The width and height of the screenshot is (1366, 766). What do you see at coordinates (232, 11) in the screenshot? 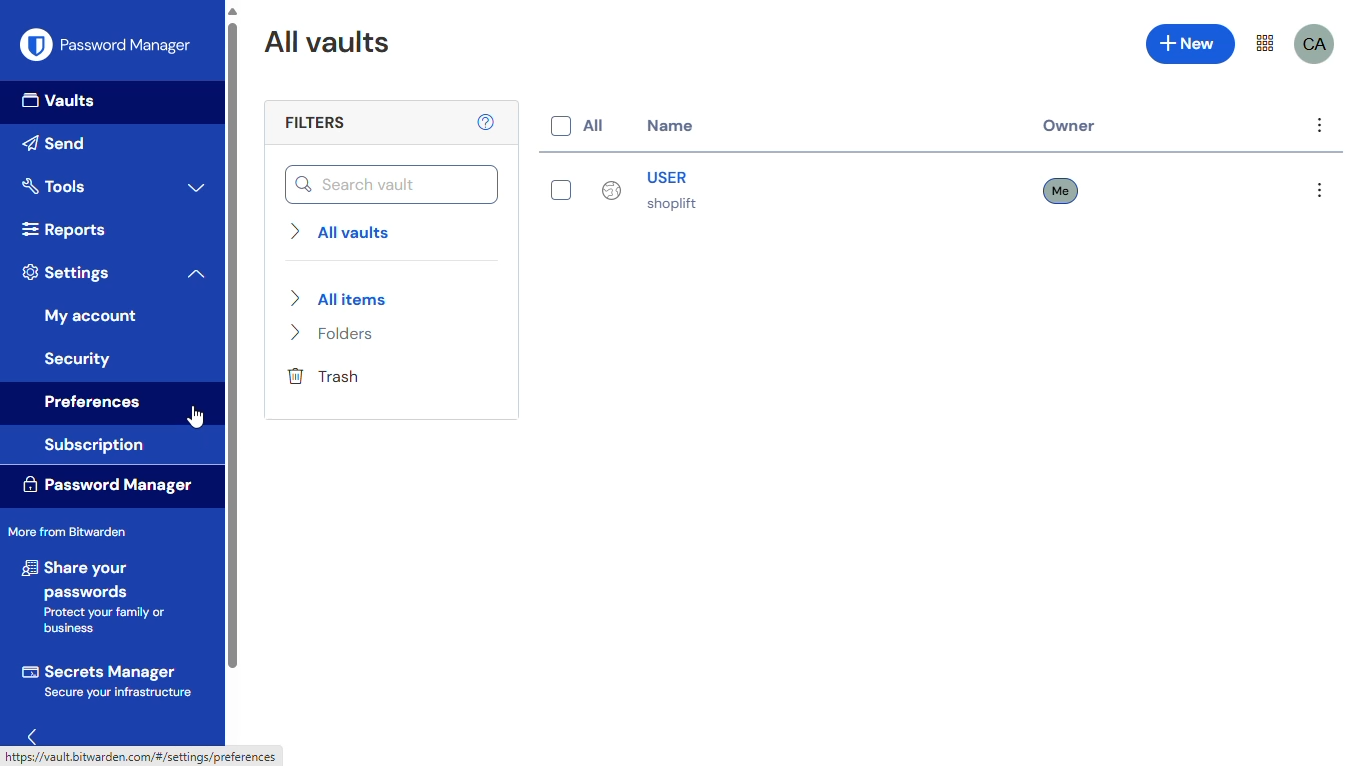
I see `scroll up` at bounding box center [232, 11].